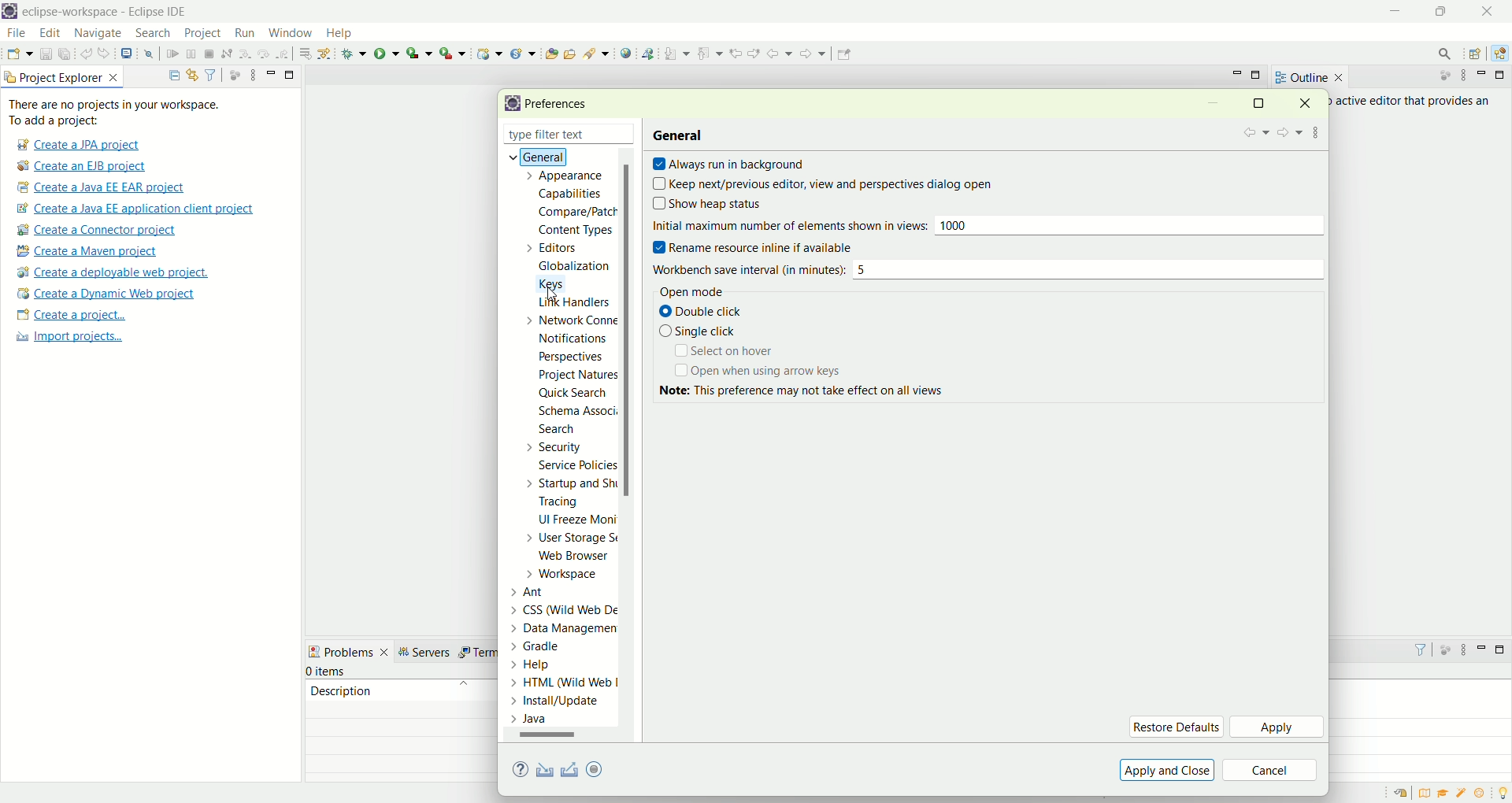 This screenshot has width=1512, height=803. Describe the element at coordinates (568, 608) in the screenshot. I see `CSS (Wild Web De` at that location.